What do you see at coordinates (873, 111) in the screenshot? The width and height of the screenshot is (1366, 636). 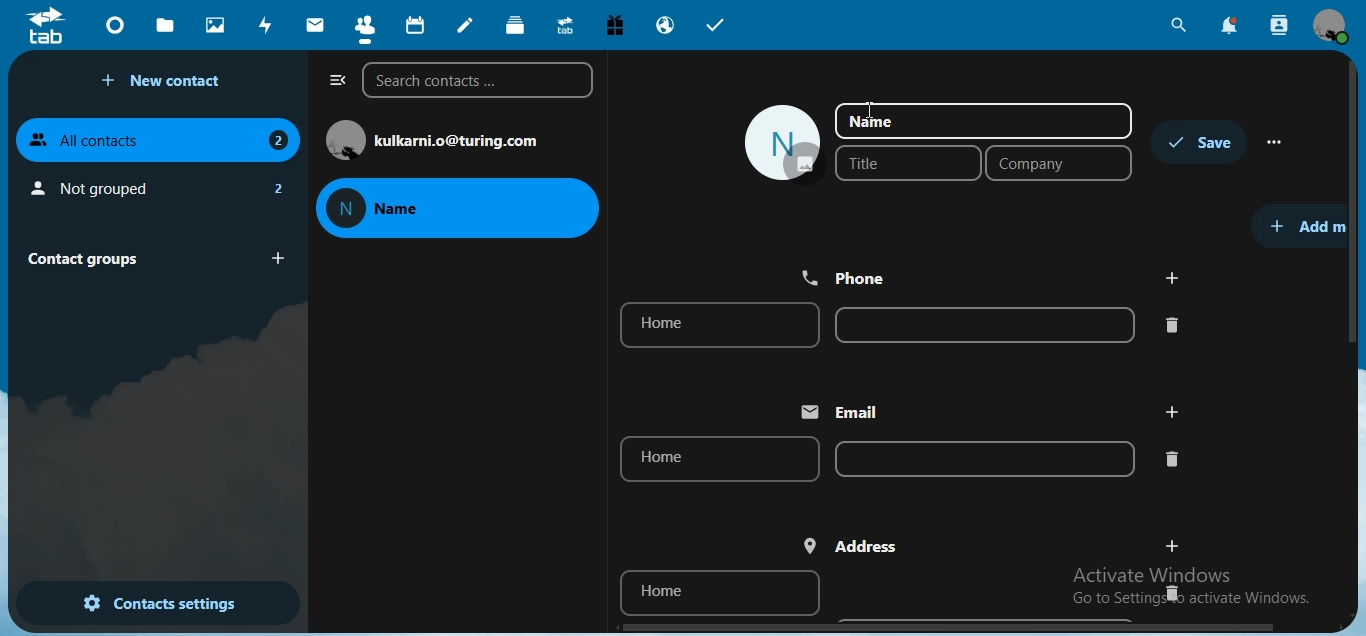 I see `cursor` at bounding box center [873, 111].